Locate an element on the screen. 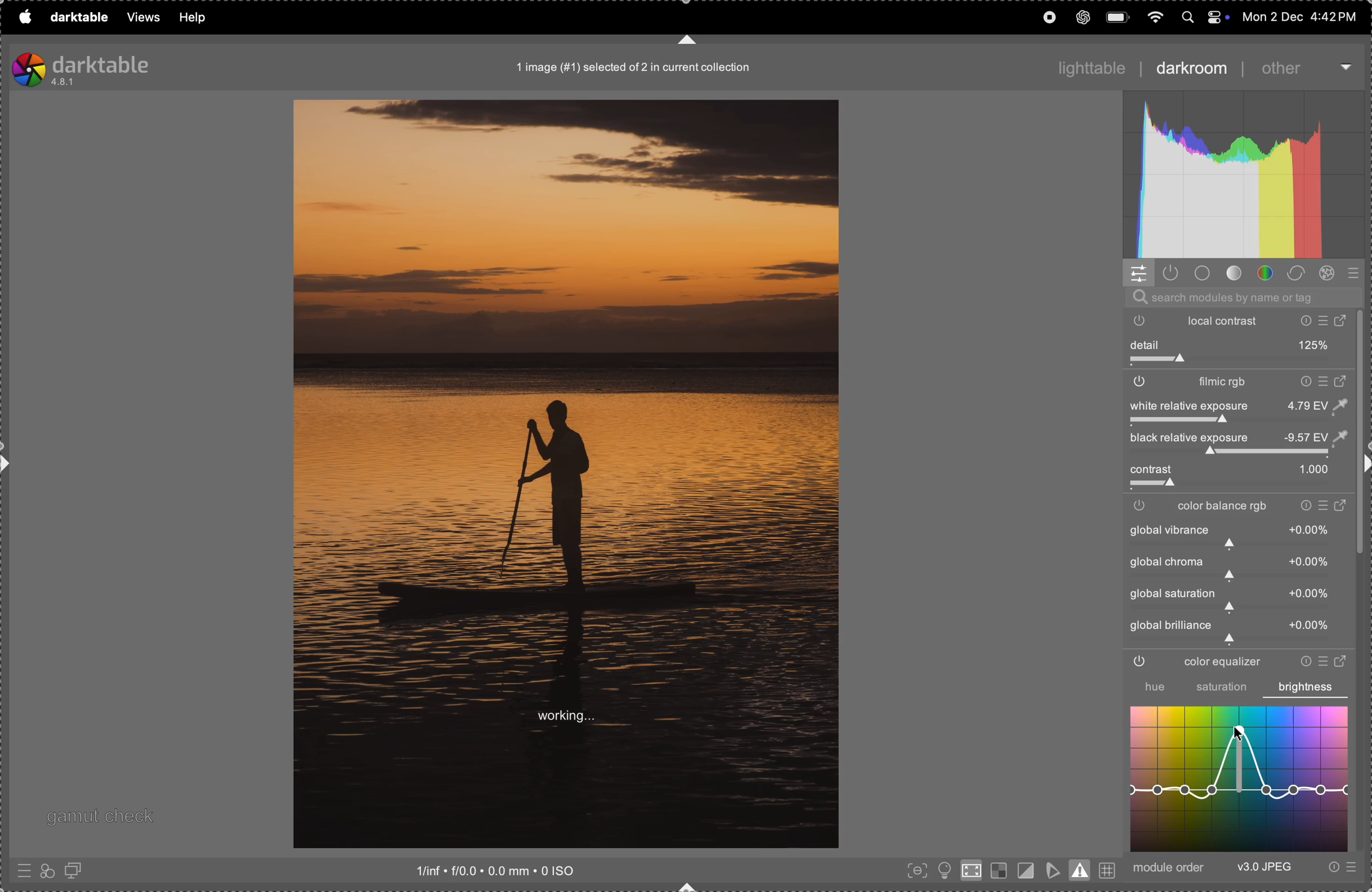 The height and width of the screenshot is (892, 1372). image is located at coordinates (566, 474).